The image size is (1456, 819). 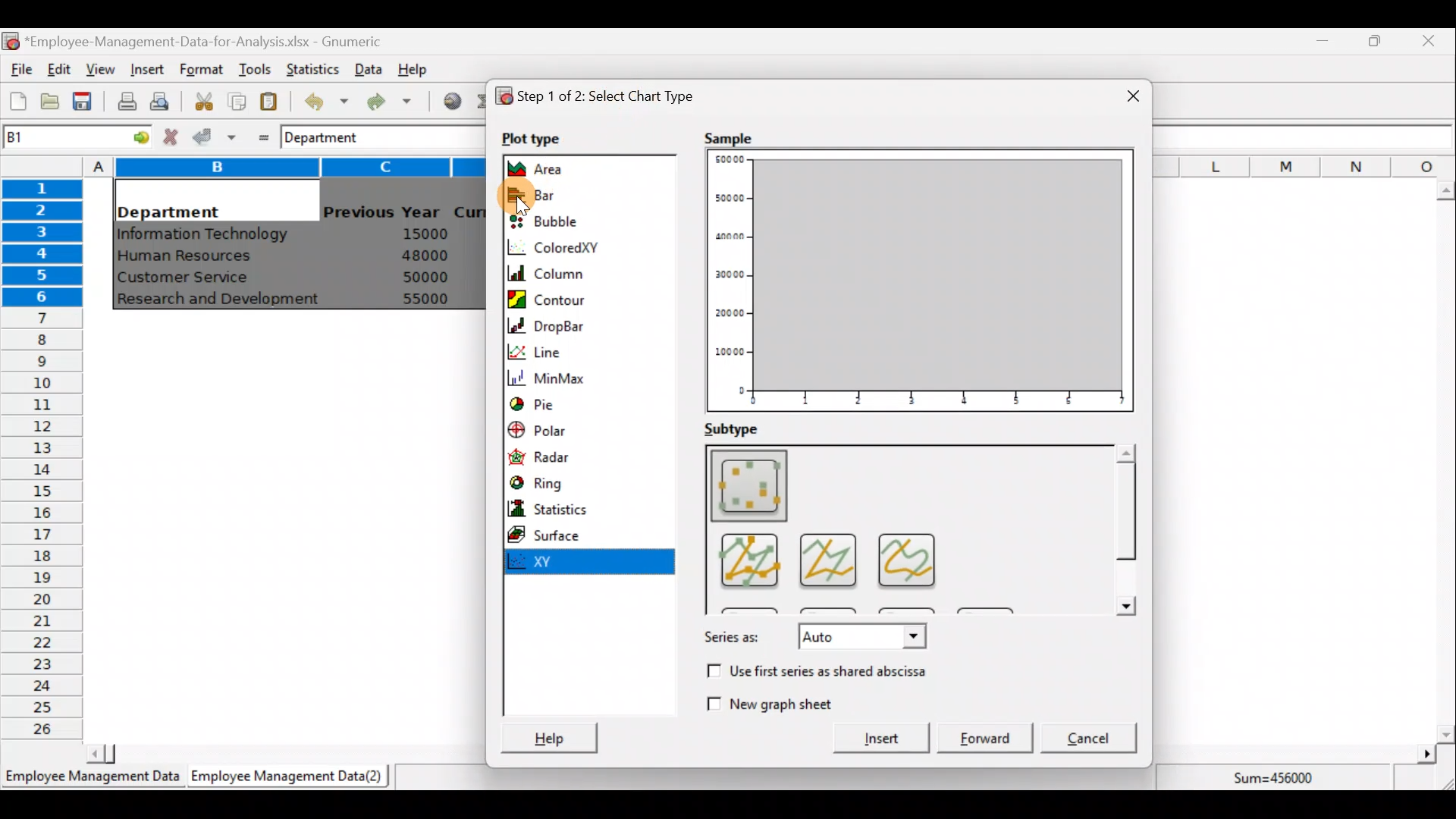 What do you see at coordinates (187, 281) in the screenshot?
I see `Customer Service` at bounding box center [187, 281].